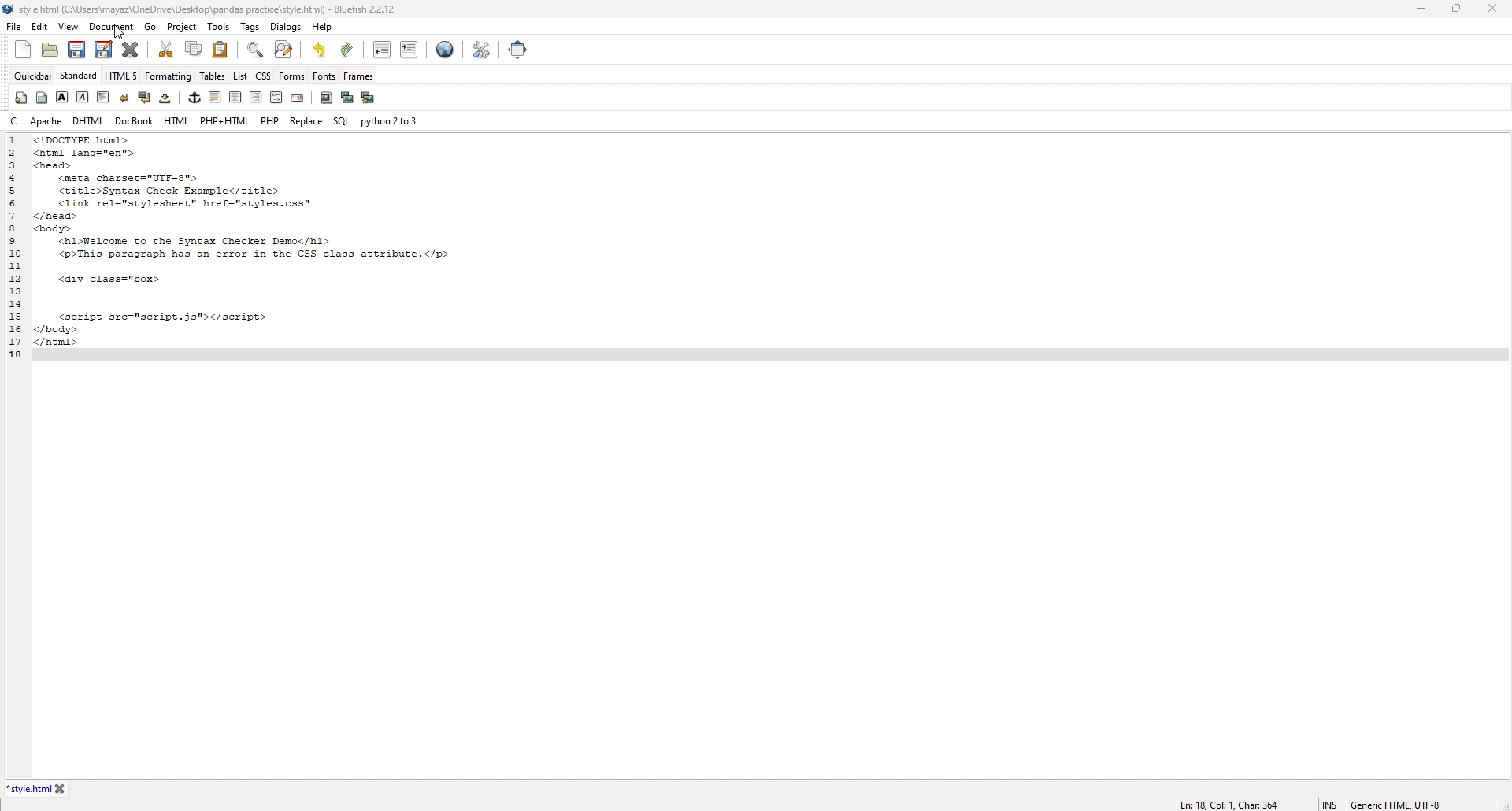 The image size is (1512, 811). What do you see at coordinates (193, 49) in the screenshot?
I see `copy` at bounding box center [193, 49].